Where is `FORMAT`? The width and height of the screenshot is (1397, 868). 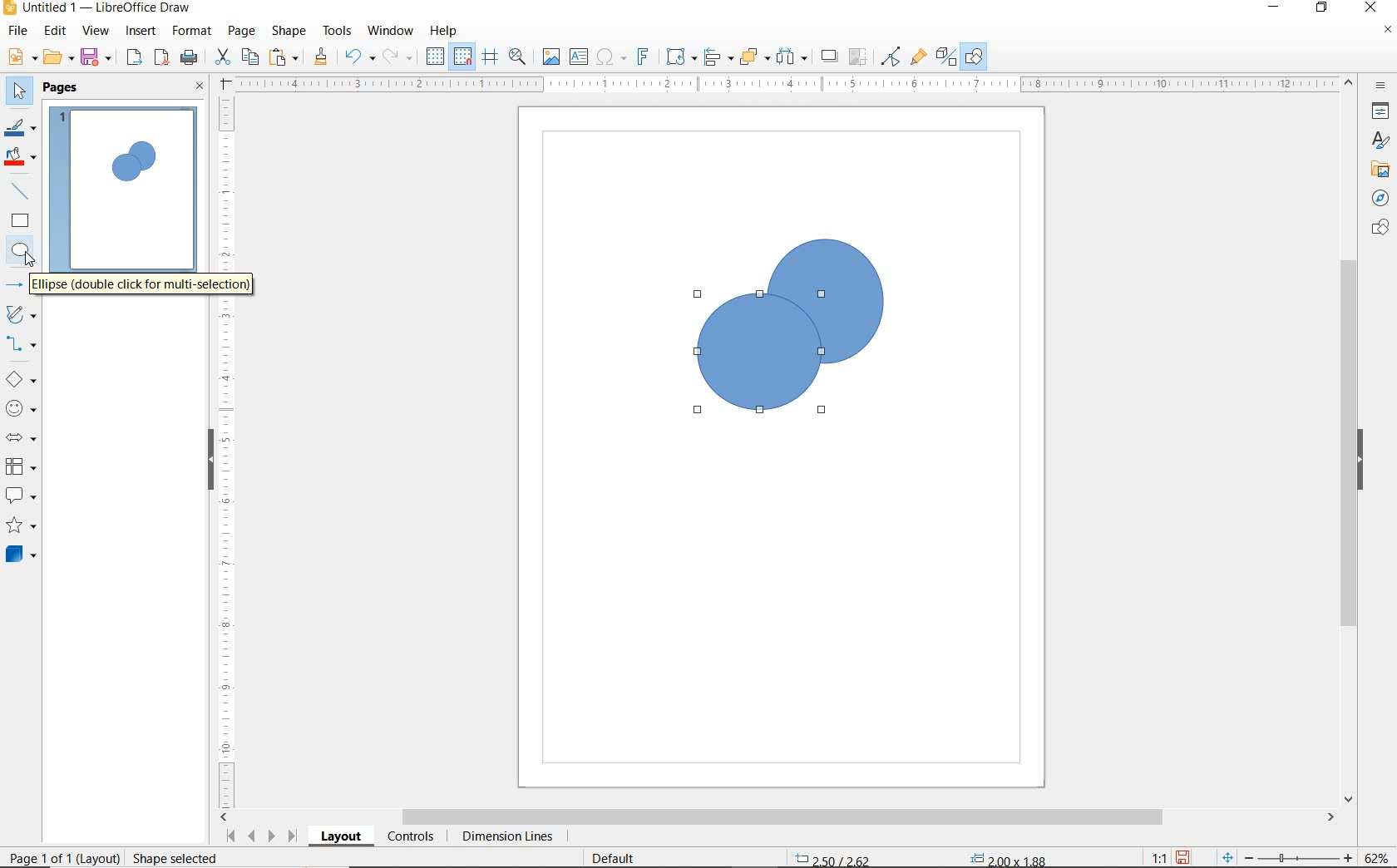 FORMAT is located at coordinates (193, 31).